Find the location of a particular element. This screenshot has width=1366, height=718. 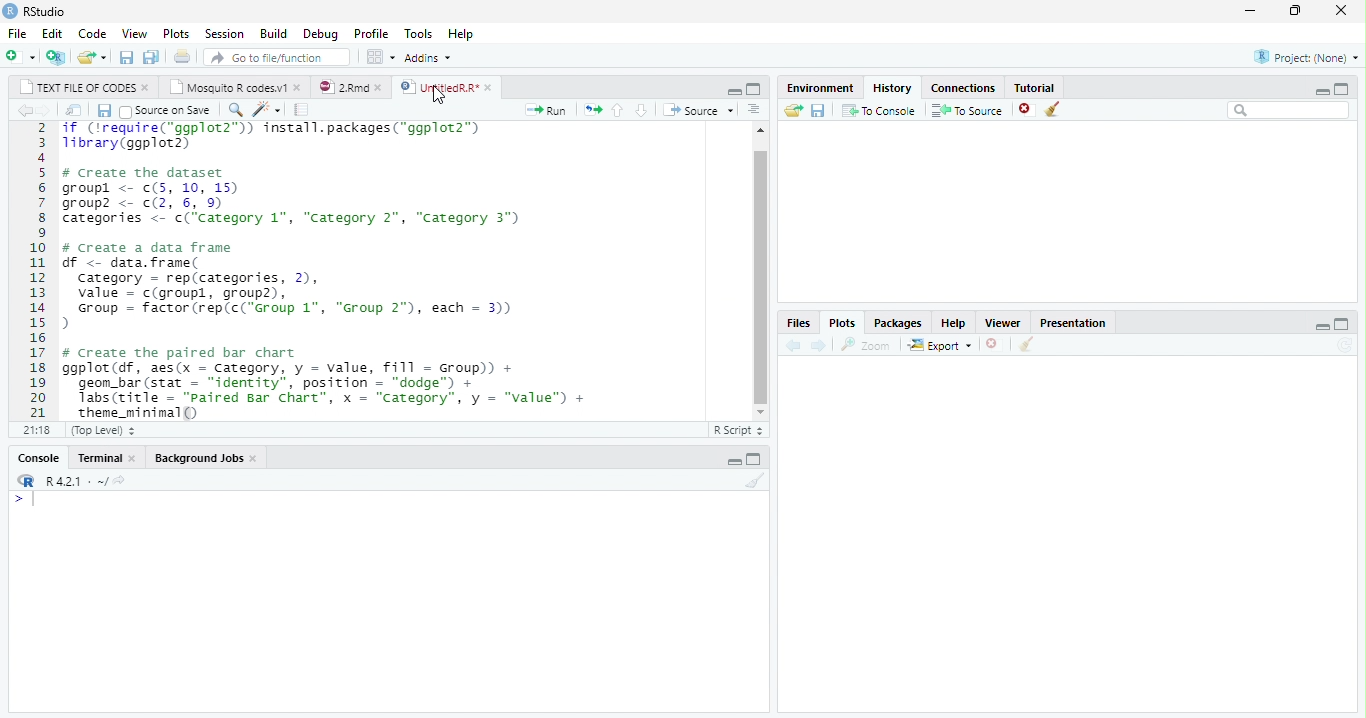

terminal is located at coordinates (98, 458).